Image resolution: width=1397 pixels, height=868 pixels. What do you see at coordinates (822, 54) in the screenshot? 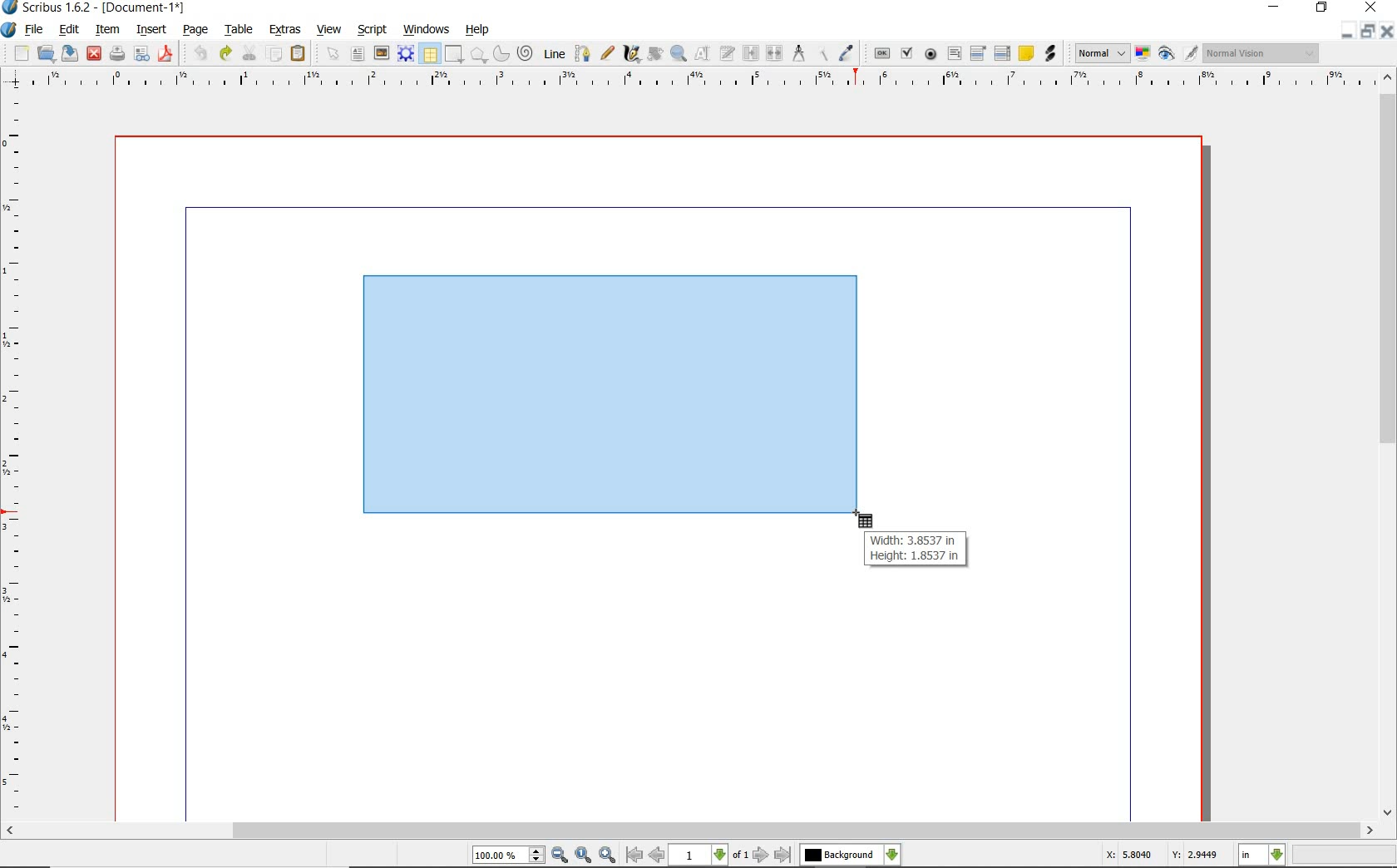
I see `copy item properties` at bounding box center [822, 54].